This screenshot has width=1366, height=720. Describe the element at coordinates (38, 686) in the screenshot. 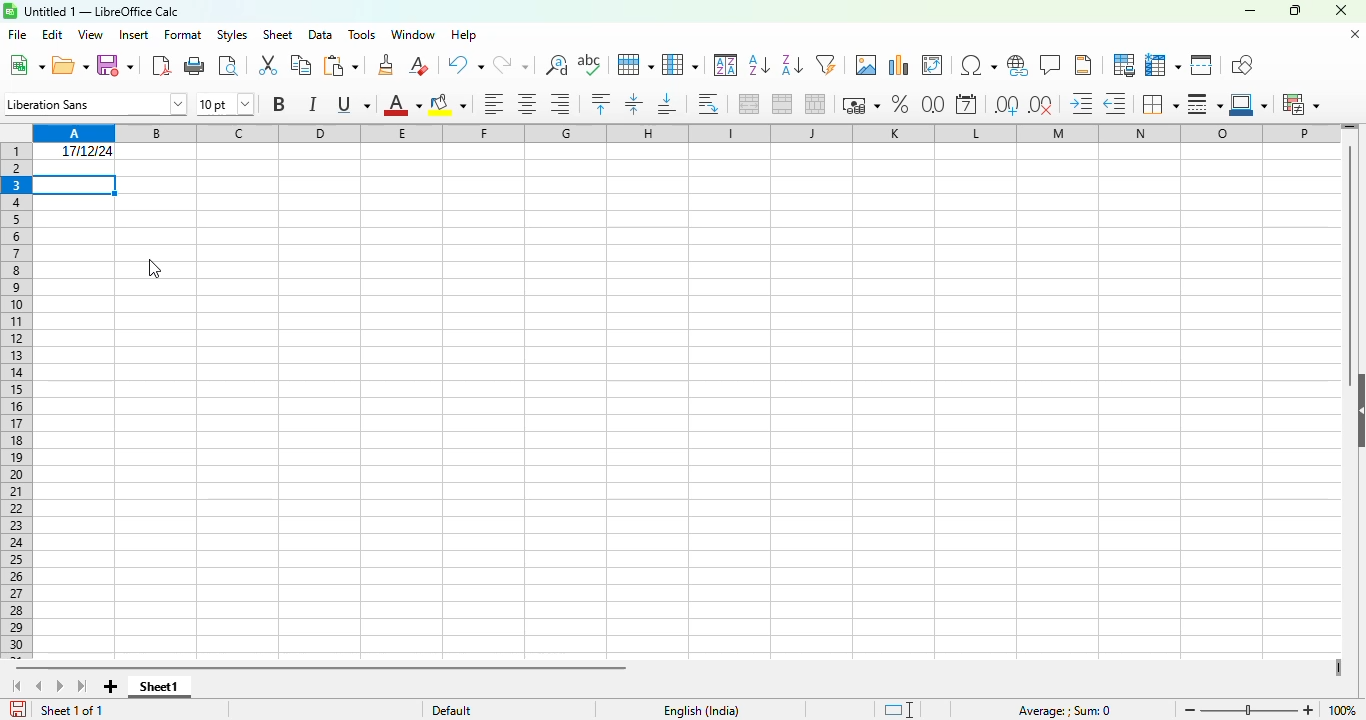

I see `scroll to previous page` at that location.